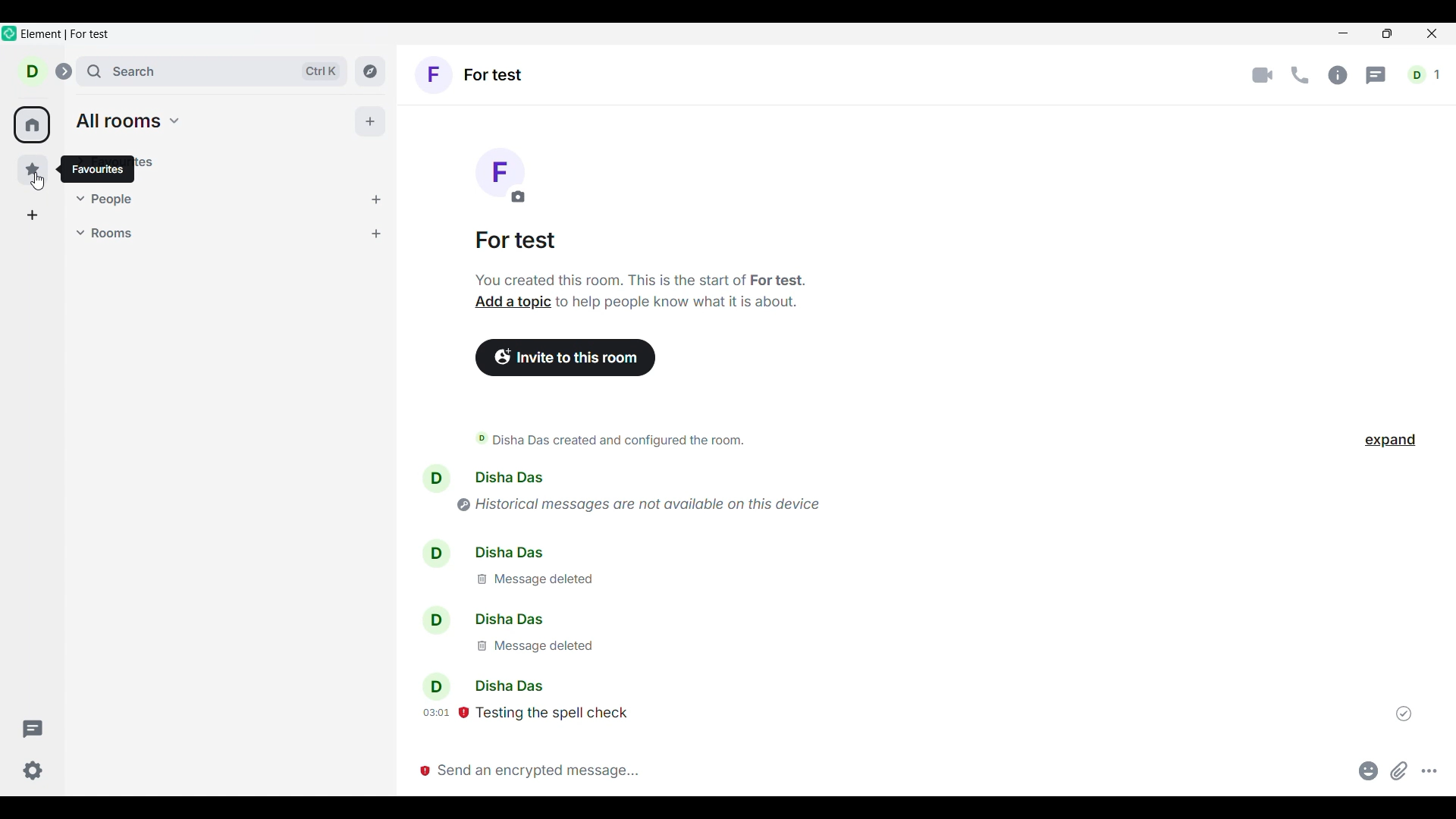  What do you see at coordinates (545, 584) in the screenshot?
I see `message deleted` at bounding box center [545, 584].